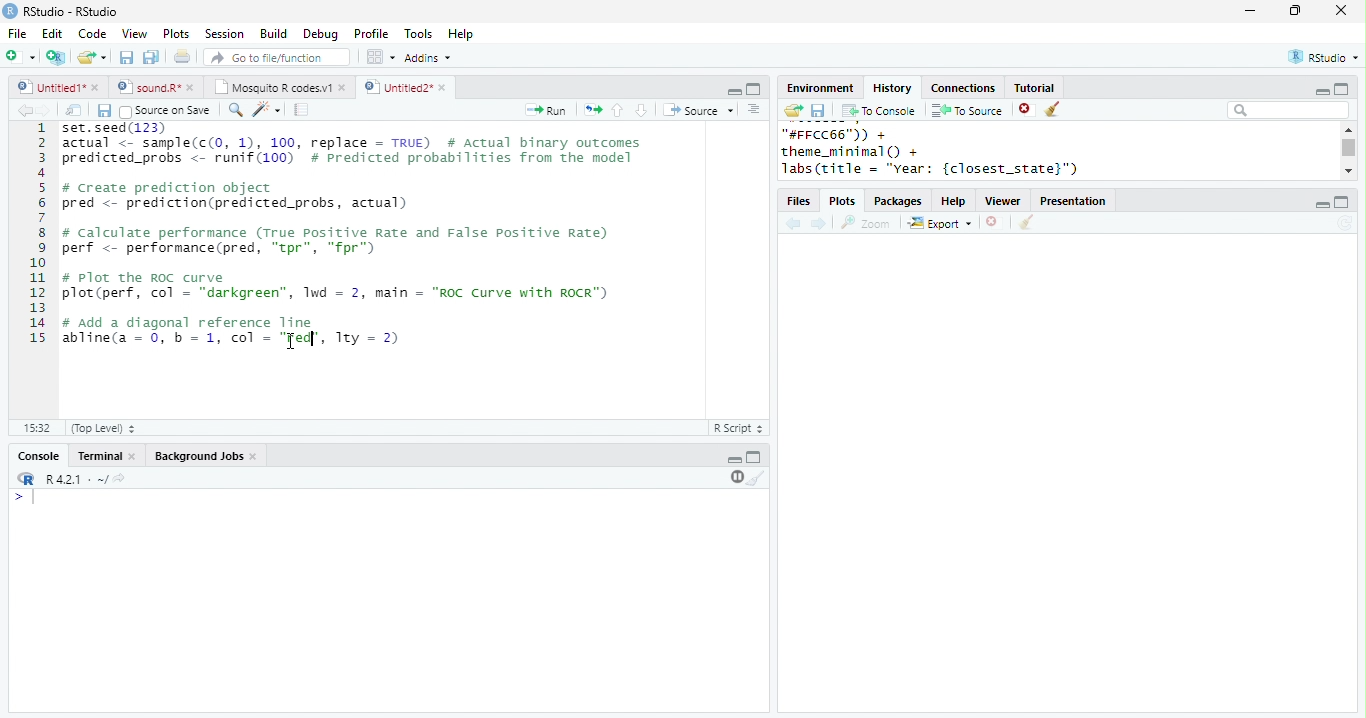 The image size is (1366, 718). Describe the element at coordinates (371, 33) in the screenshot. I see `Profile` at that location.